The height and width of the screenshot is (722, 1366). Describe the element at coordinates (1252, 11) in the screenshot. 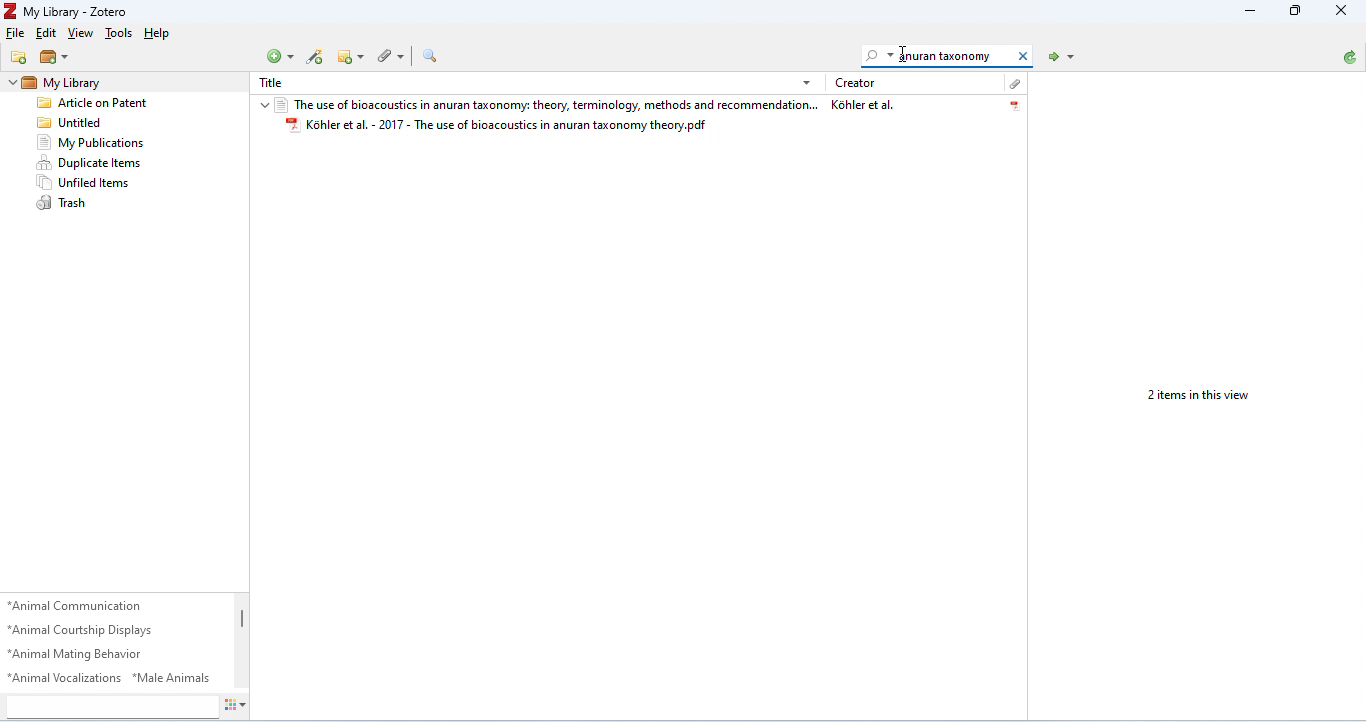

I see `Restore Down` at that location.